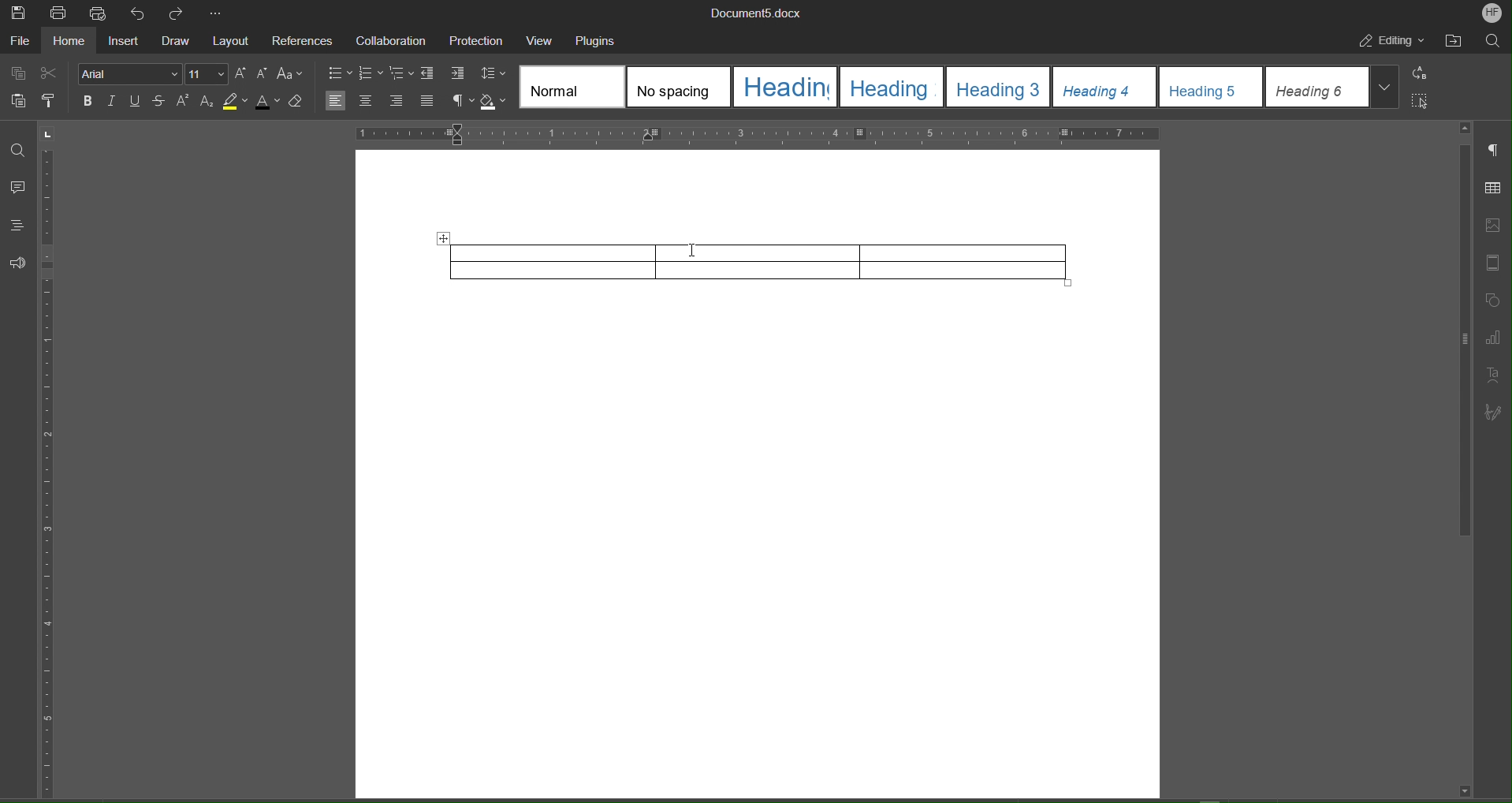 The width and height of the screenshot is (1512, 803). What do you see at coordinates (1494, 43) in the screenshot?
I see `Search` at bounding box center [1494, 43].